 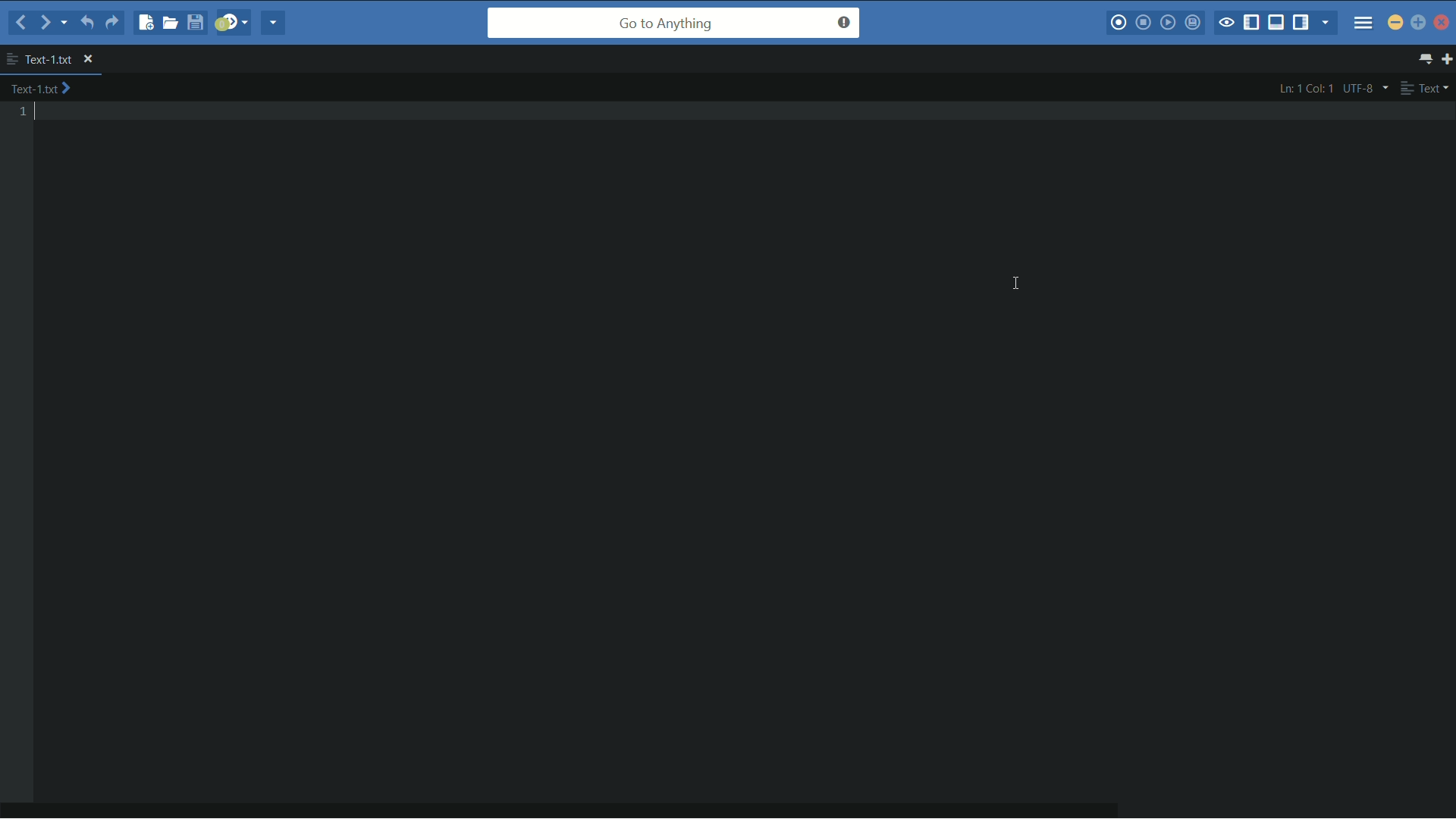 I want to click on utf-8, so click(x=1366, y=88).